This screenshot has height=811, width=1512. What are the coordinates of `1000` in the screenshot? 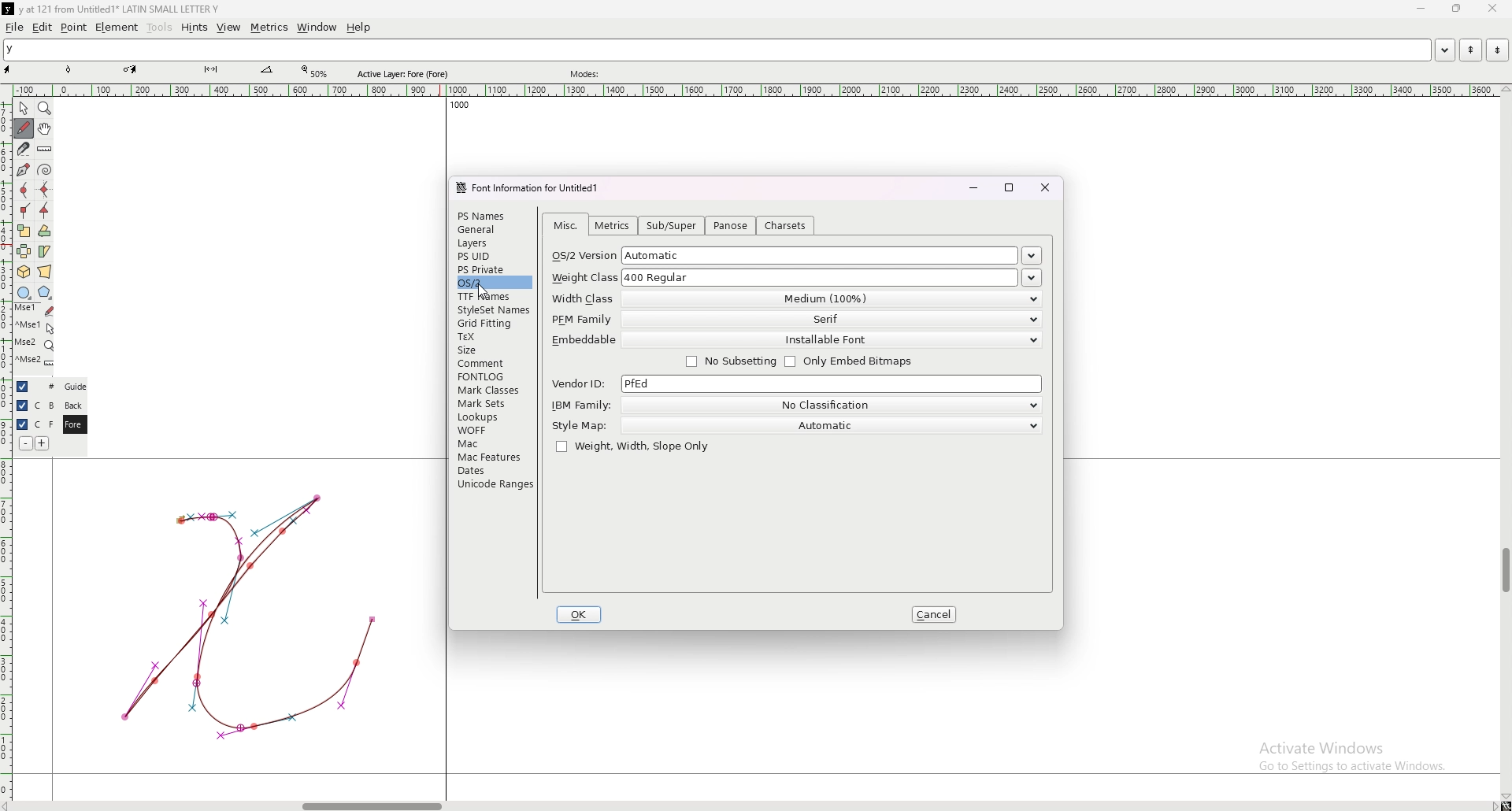 It's located at (456, 107).